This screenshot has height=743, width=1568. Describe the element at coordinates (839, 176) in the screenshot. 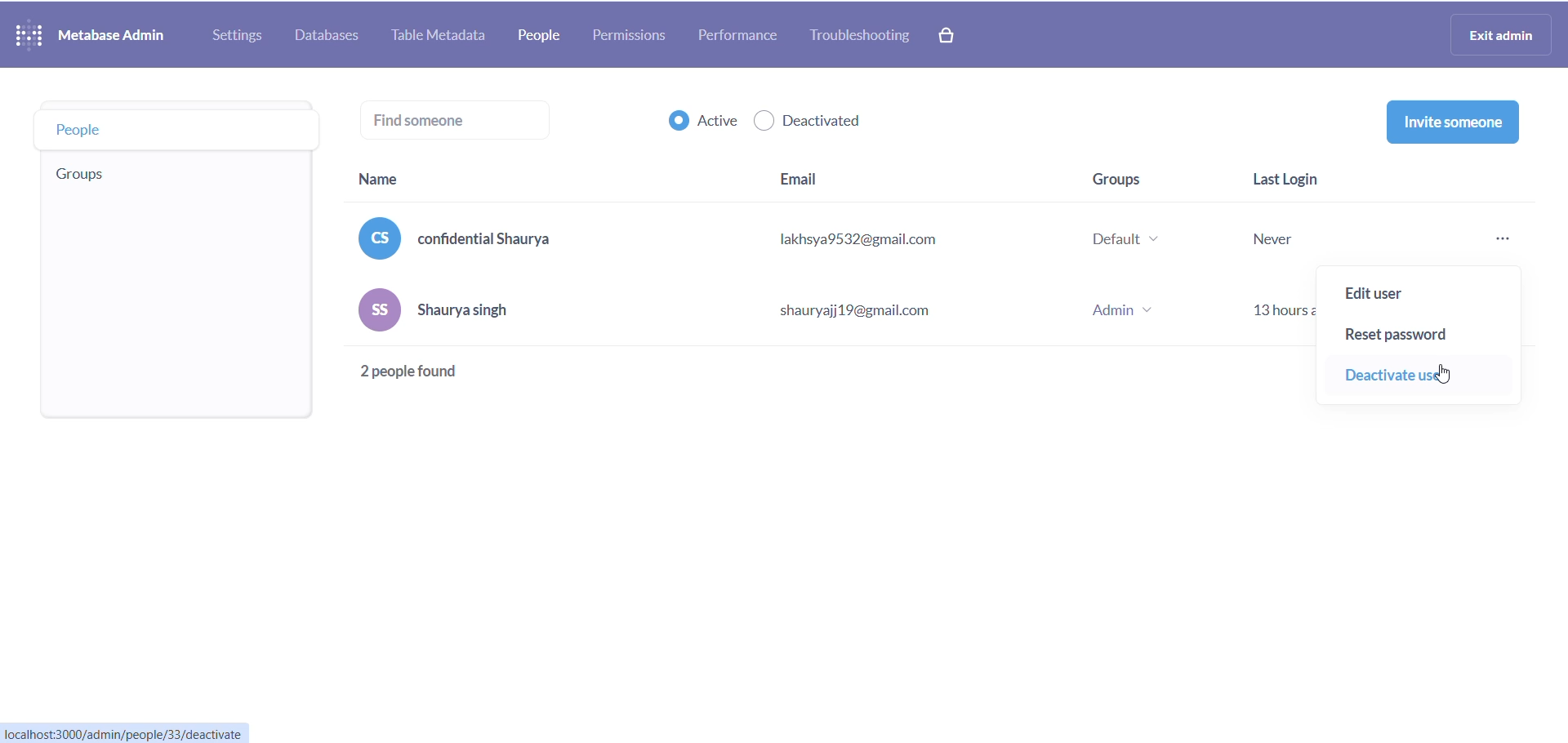

I see `email heading` at that location.